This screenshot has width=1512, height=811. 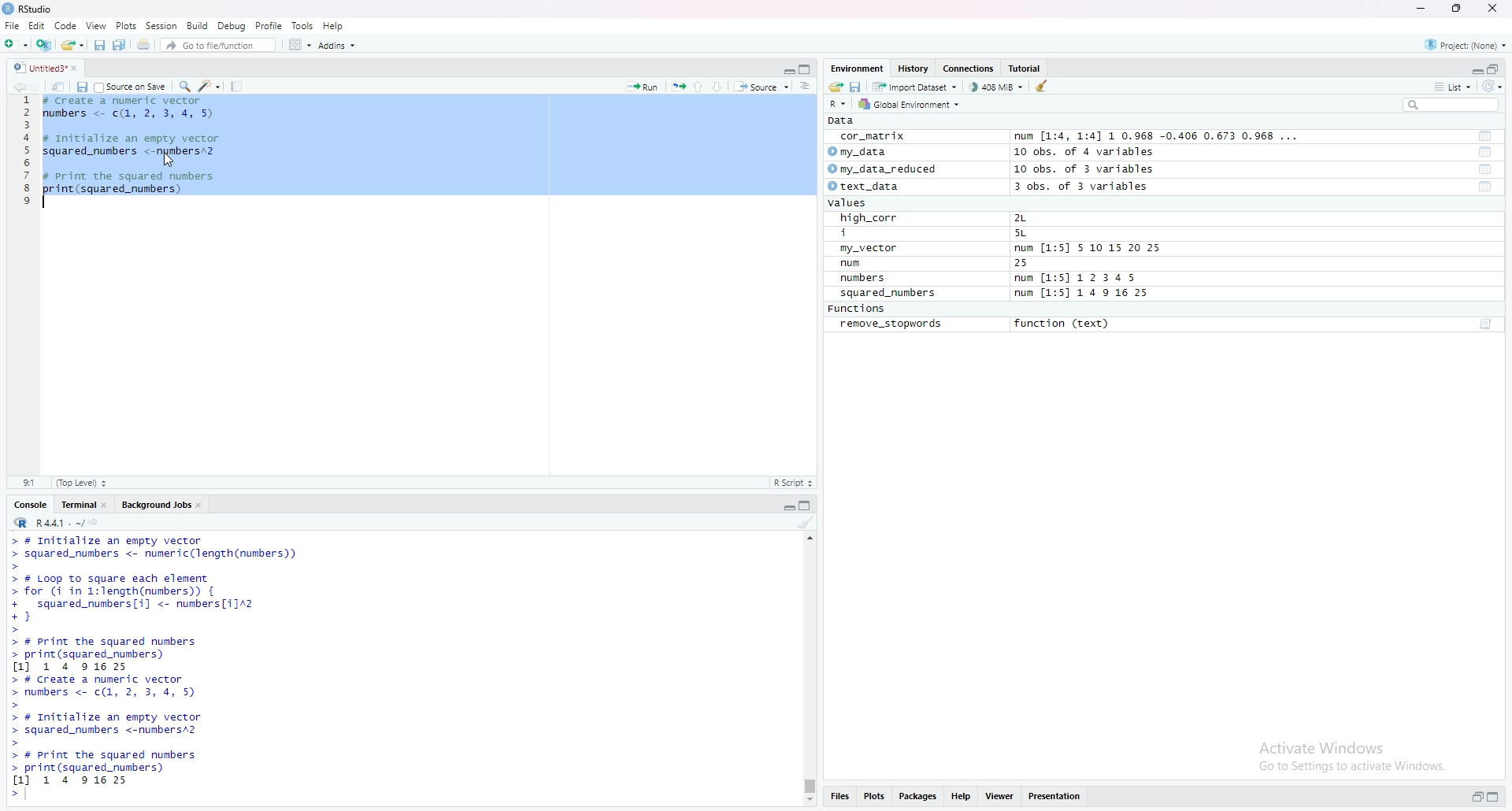 What do you see at coordinates (236, 86) in the screenshot?
I see `compile report` at bounding box center [236, 86].